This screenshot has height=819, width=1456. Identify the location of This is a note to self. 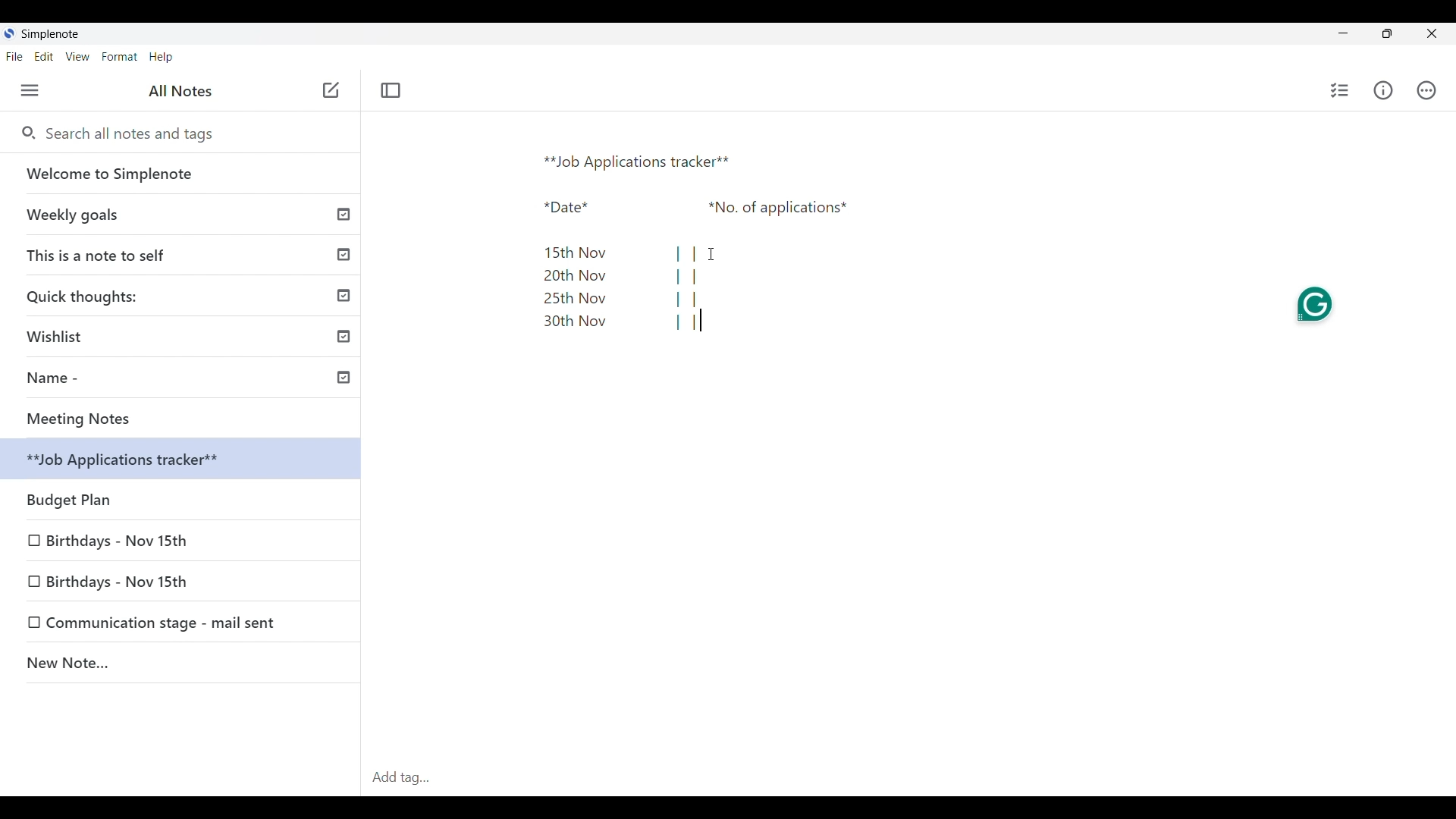
(183, 254).